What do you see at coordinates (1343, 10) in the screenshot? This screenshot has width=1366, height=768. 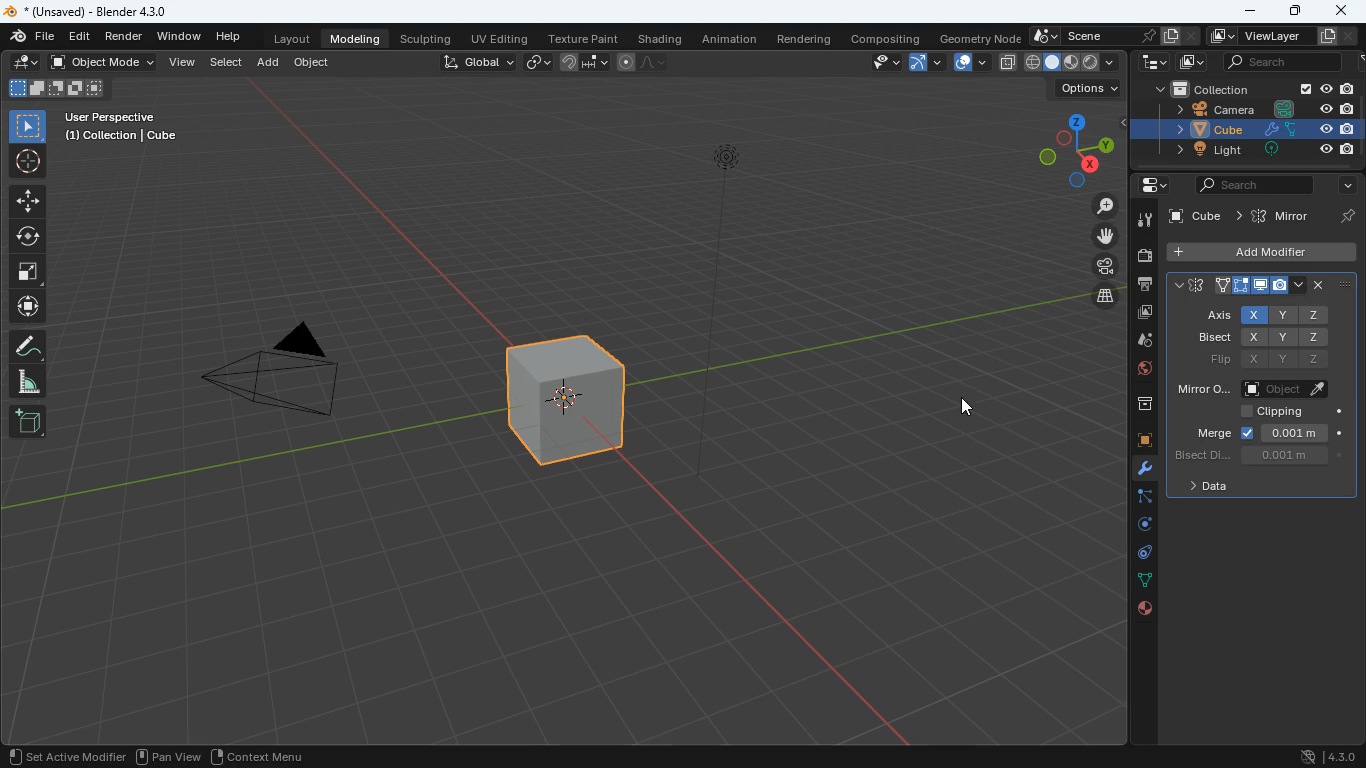 I see `close` at bounding box center [1343, 10].